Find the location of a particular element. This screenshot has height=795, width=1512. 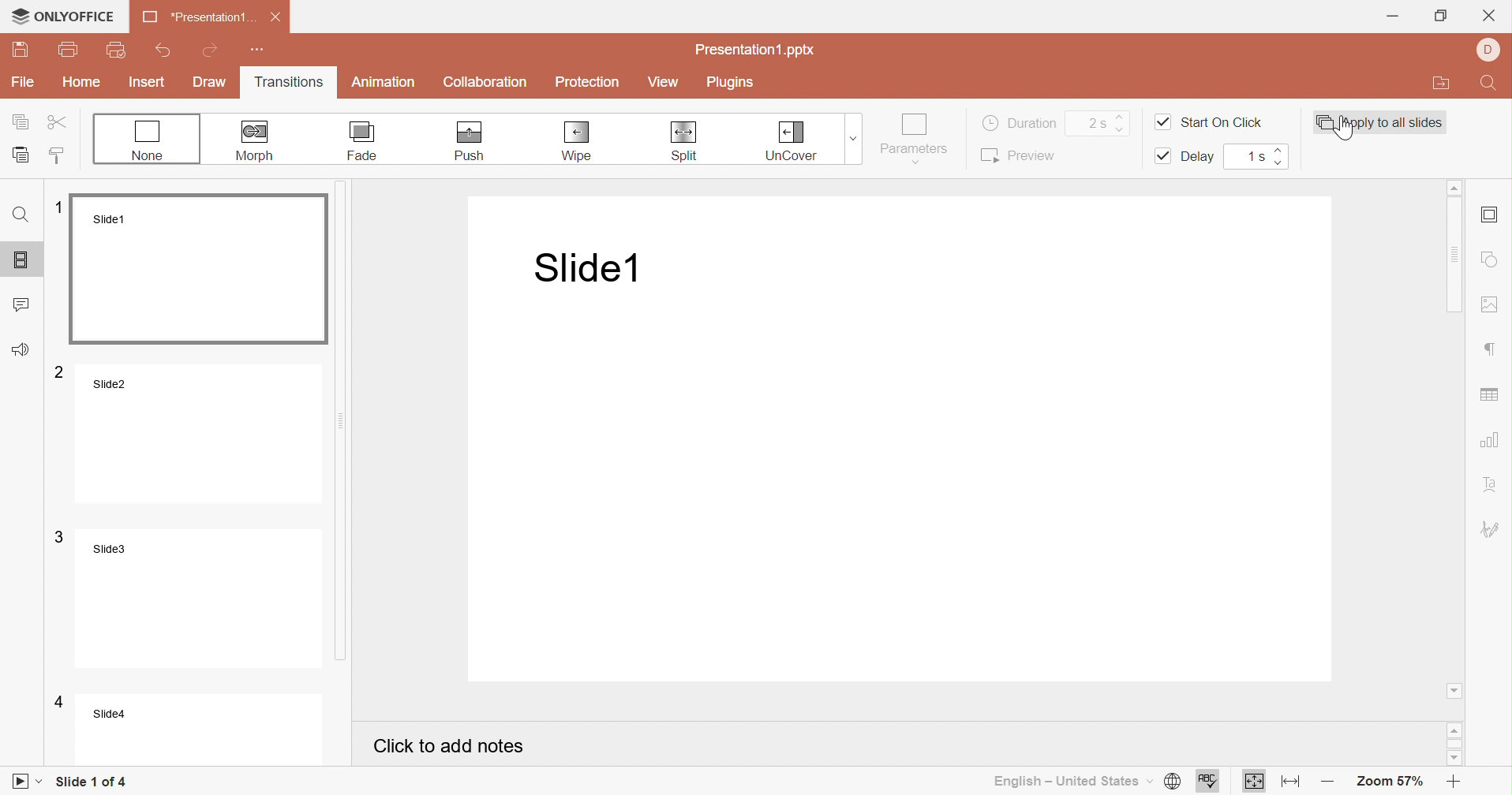

Scroll down is located at coordinates (1454, 691).